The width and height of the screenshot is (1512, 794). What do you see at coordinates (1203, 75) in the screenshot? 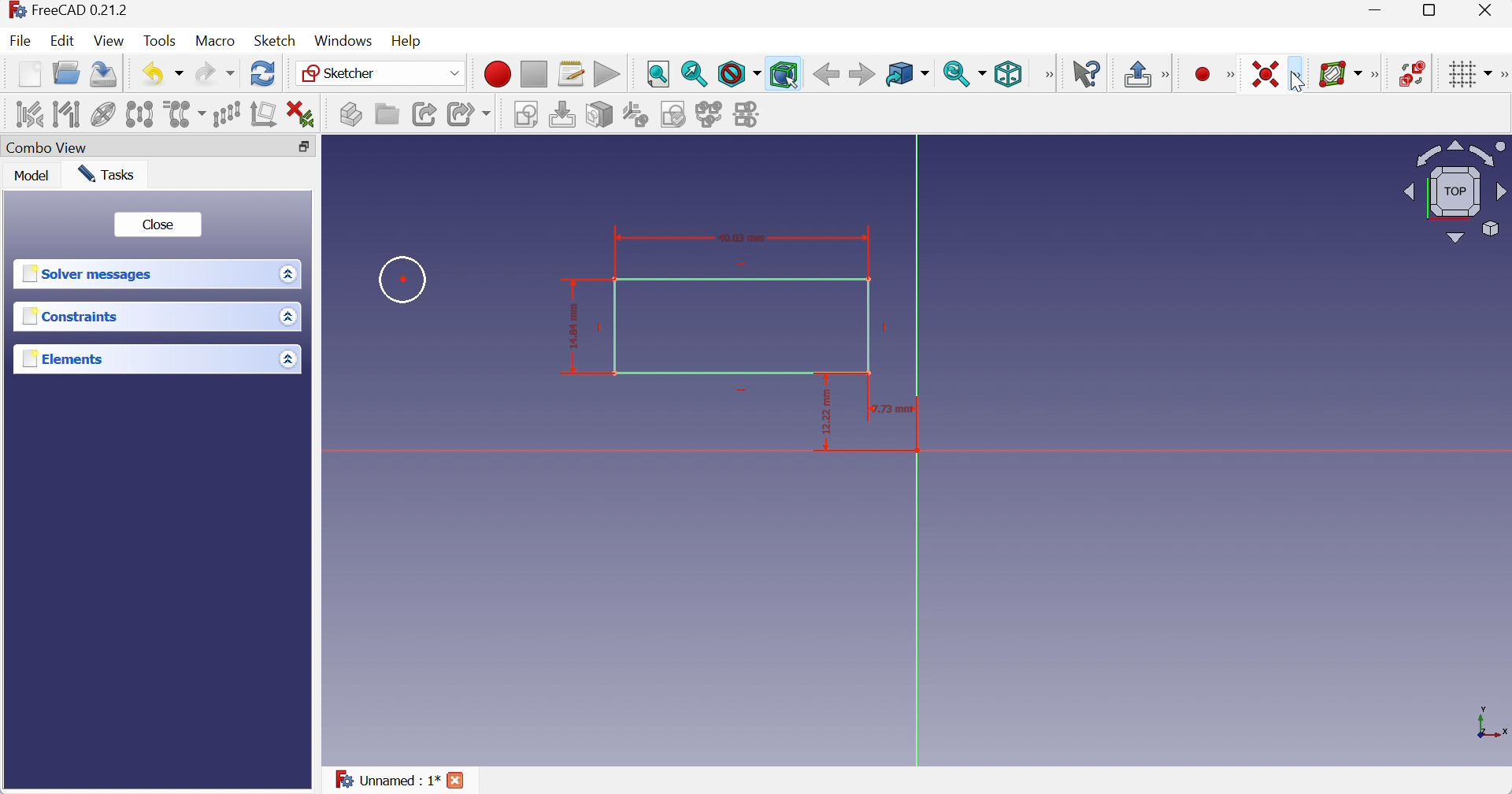
I see `Create point` at bounding box center [1203, 75].